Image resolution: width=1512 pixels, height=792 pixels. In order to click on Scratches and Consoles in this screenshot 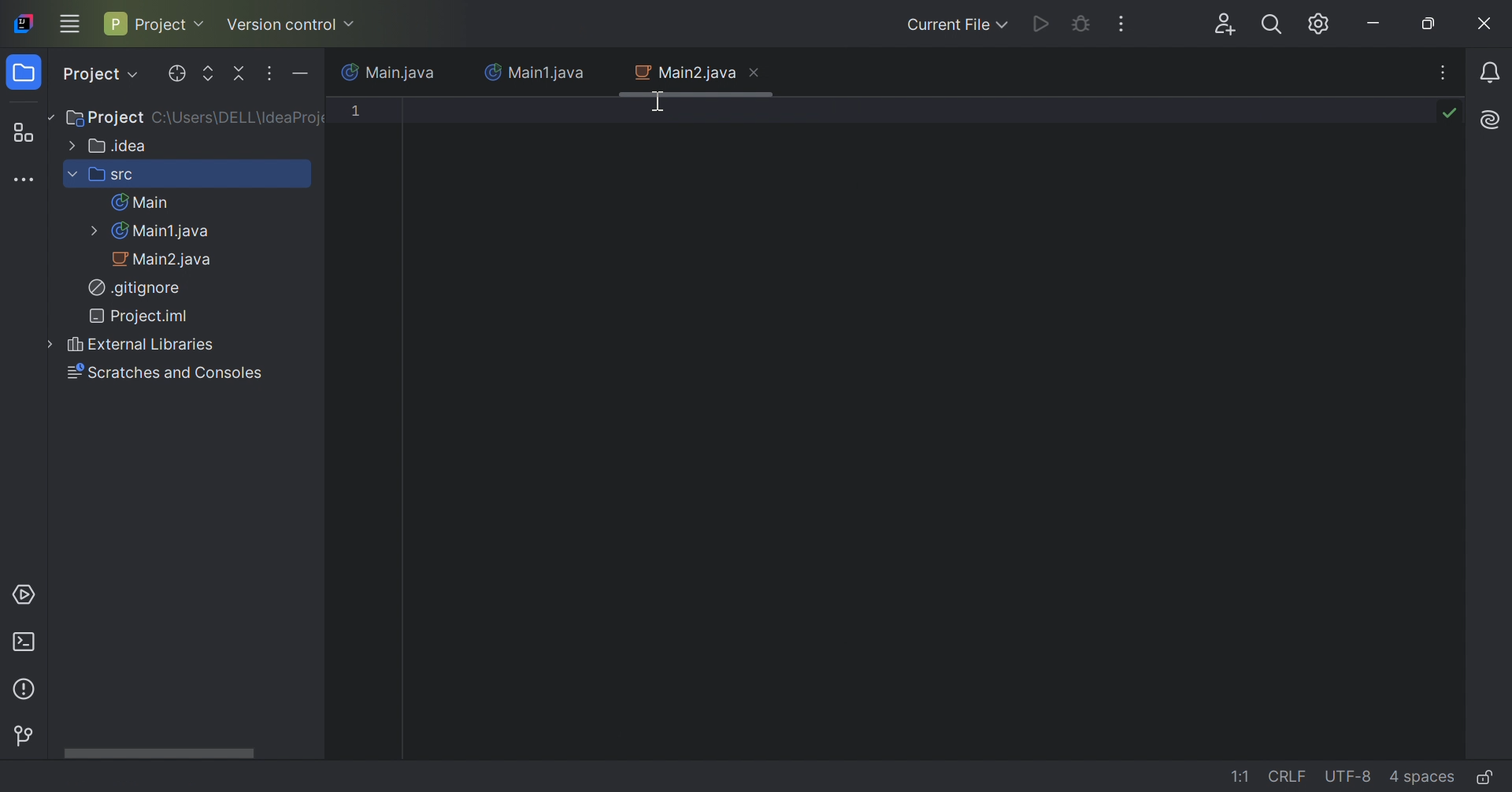, I will do `click(165, 372)`.